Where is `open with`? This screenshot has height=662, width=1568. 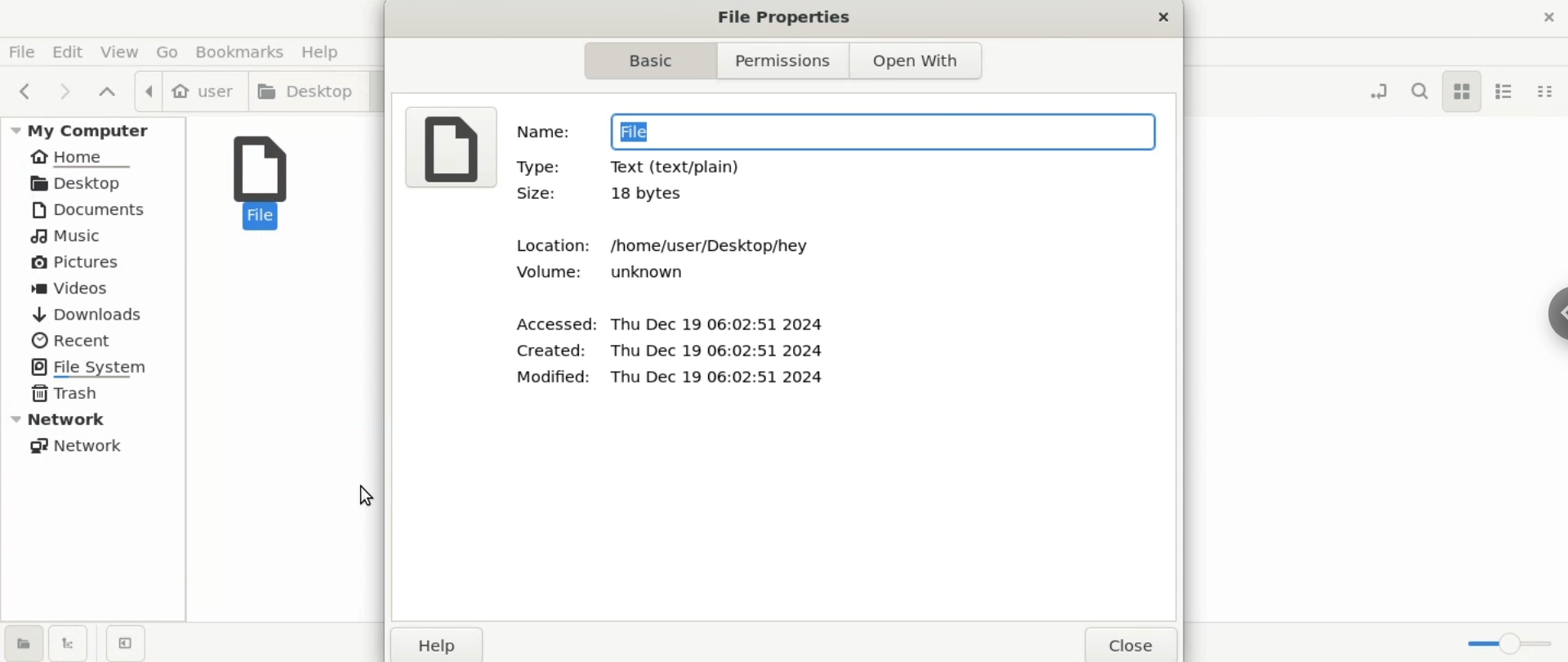
open with is located at coordinates (921, 60).